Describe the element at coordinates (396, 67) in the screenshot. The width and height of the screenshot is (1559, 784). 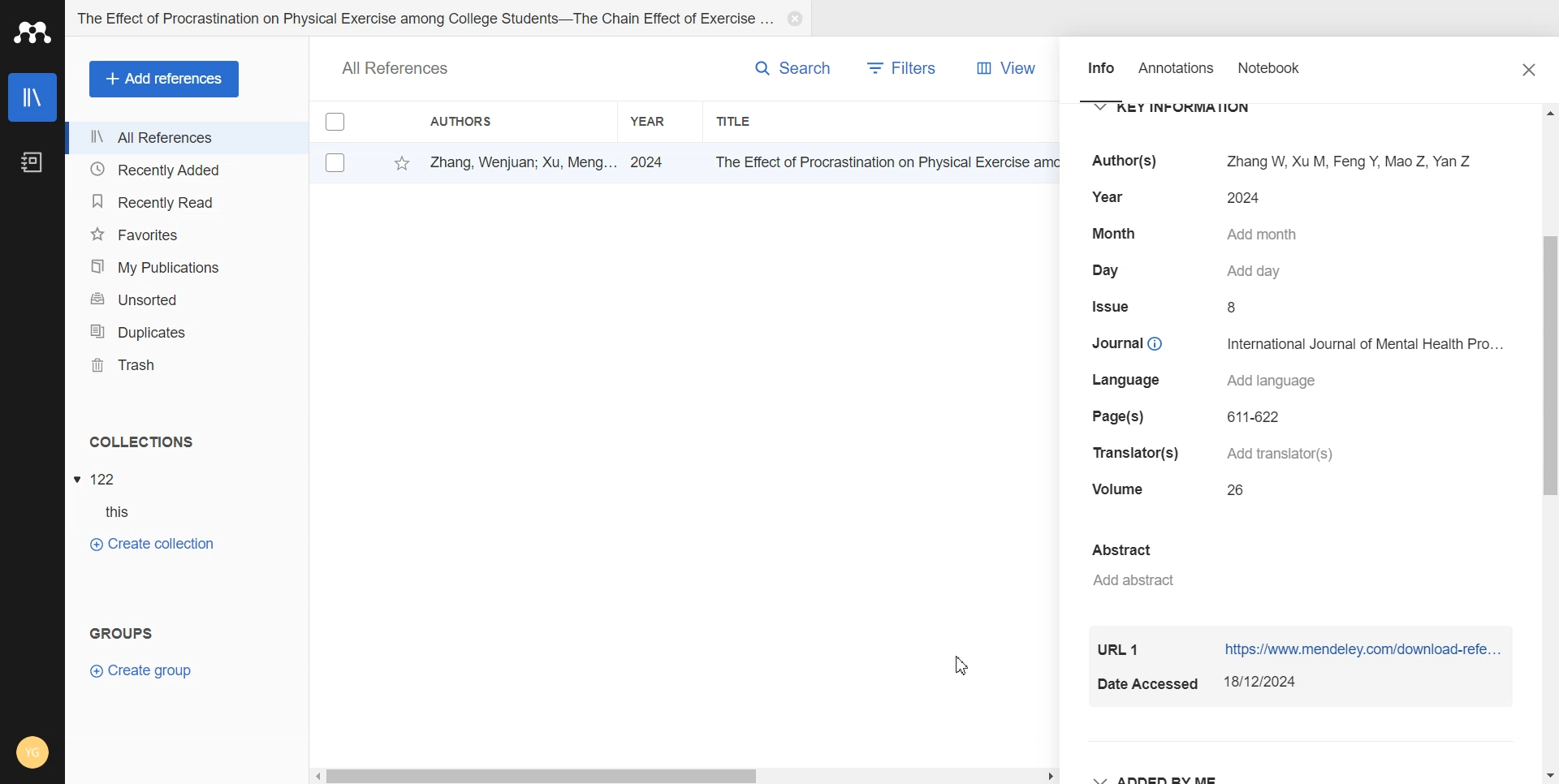
I see `Text` at that location.